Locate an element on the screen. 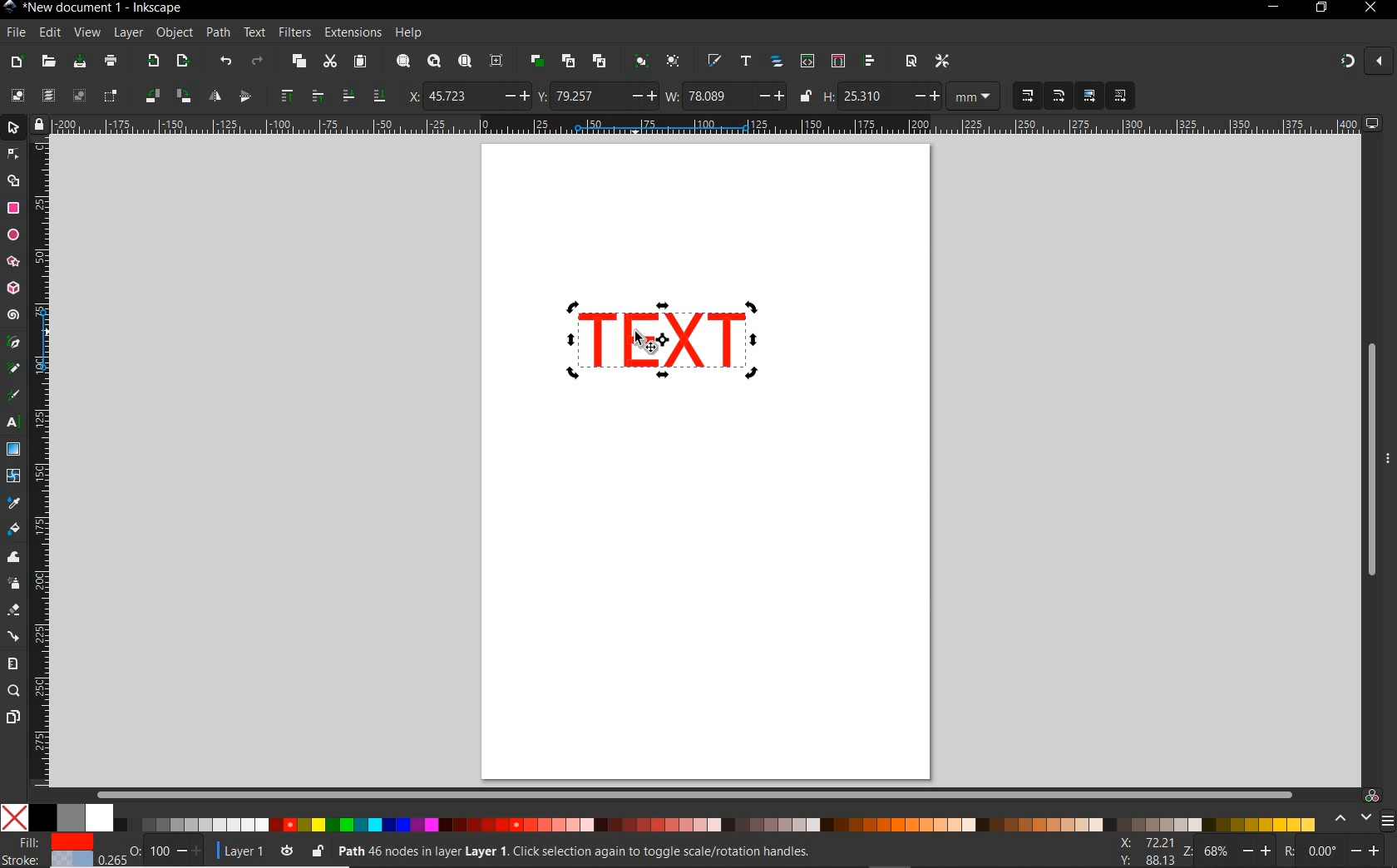 This screenshot has height=868, width=1397. RULER is located at coordinates (708, 126).